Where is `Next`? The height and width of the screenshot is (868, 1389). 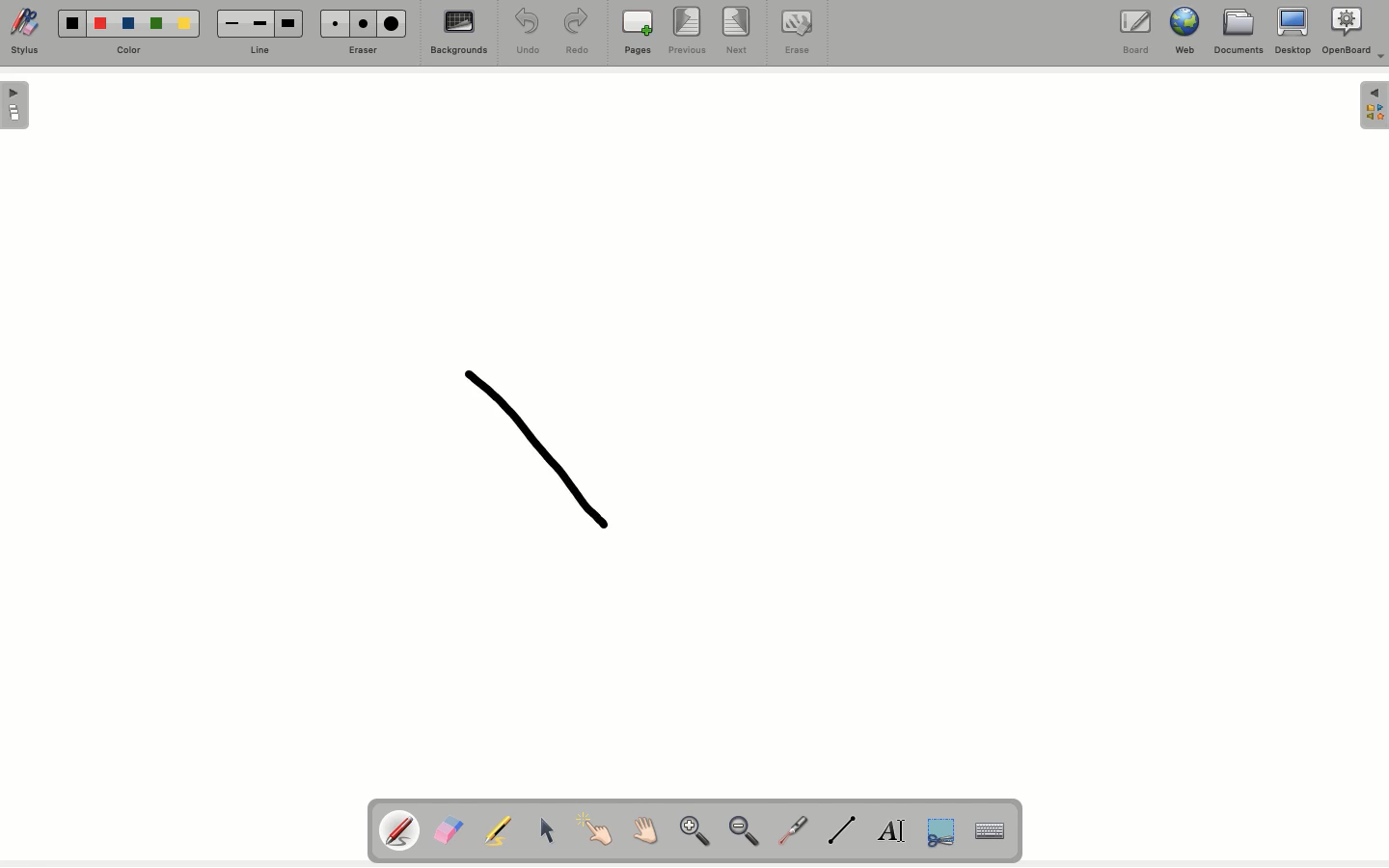 Next is located at coordinates (738, 30).